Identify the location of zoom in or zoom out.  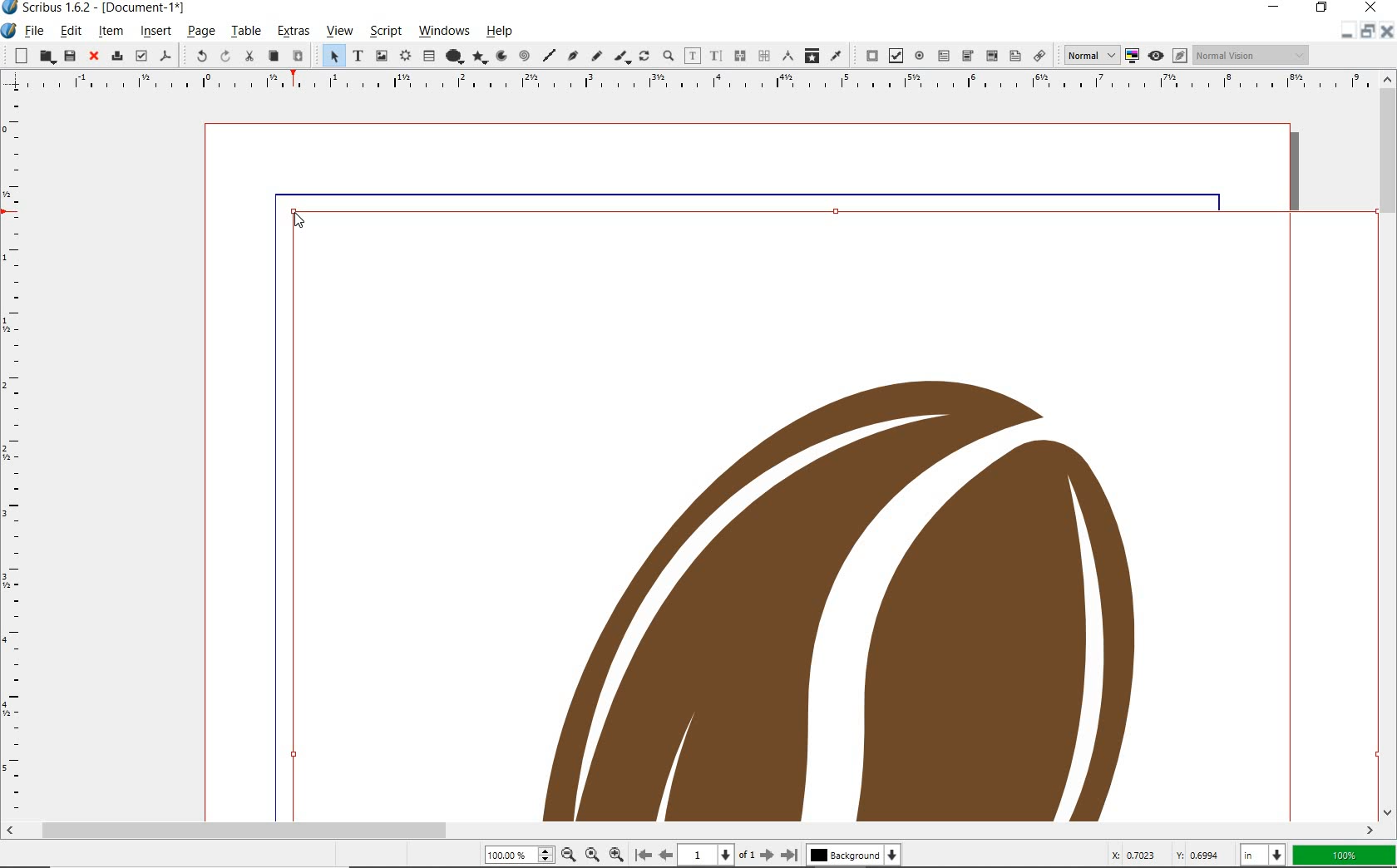
(669, 54).